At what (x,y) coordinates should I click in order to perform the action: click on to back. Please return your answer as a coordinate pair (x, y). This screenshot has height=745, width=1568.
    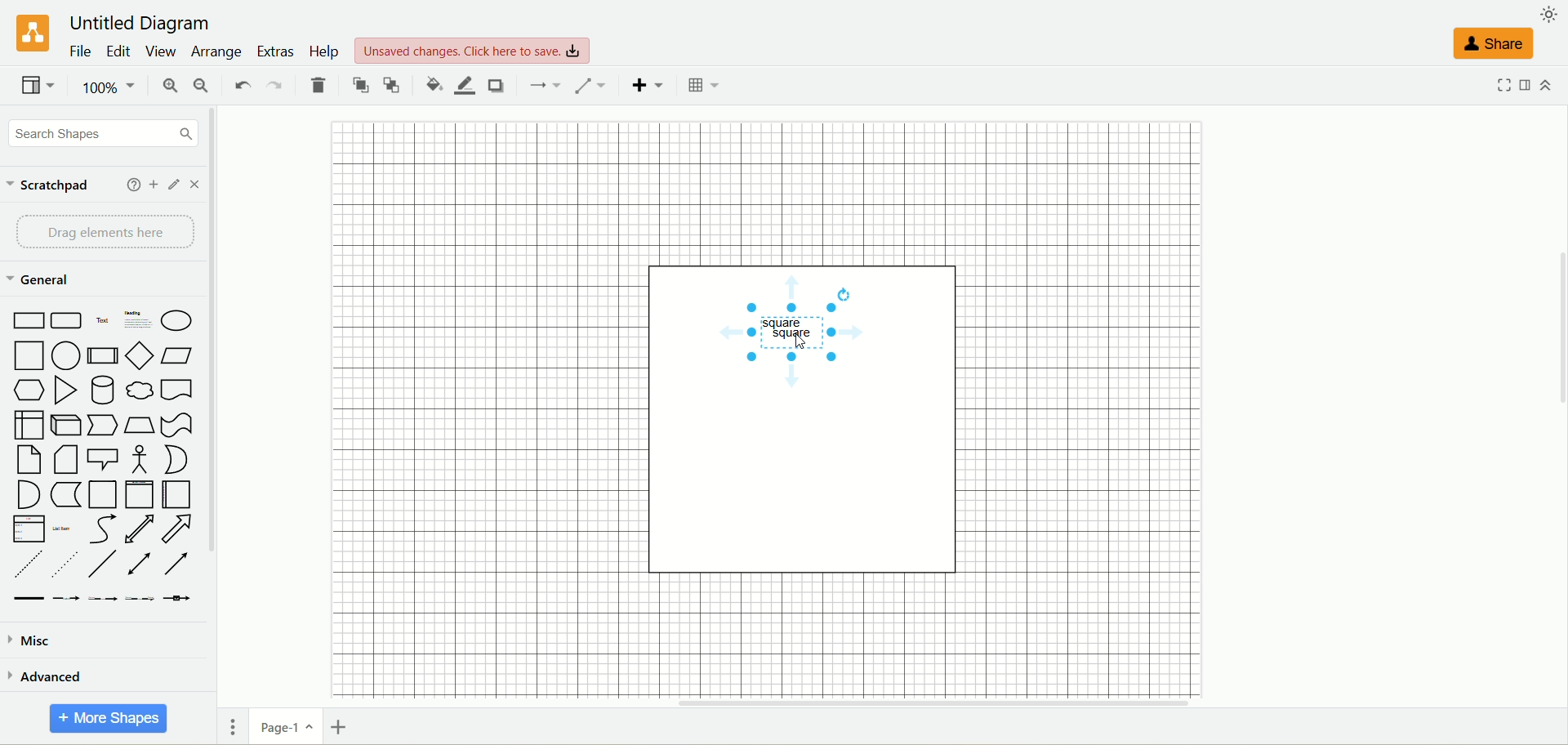
    Looking at the image, I should click on (394, 86).